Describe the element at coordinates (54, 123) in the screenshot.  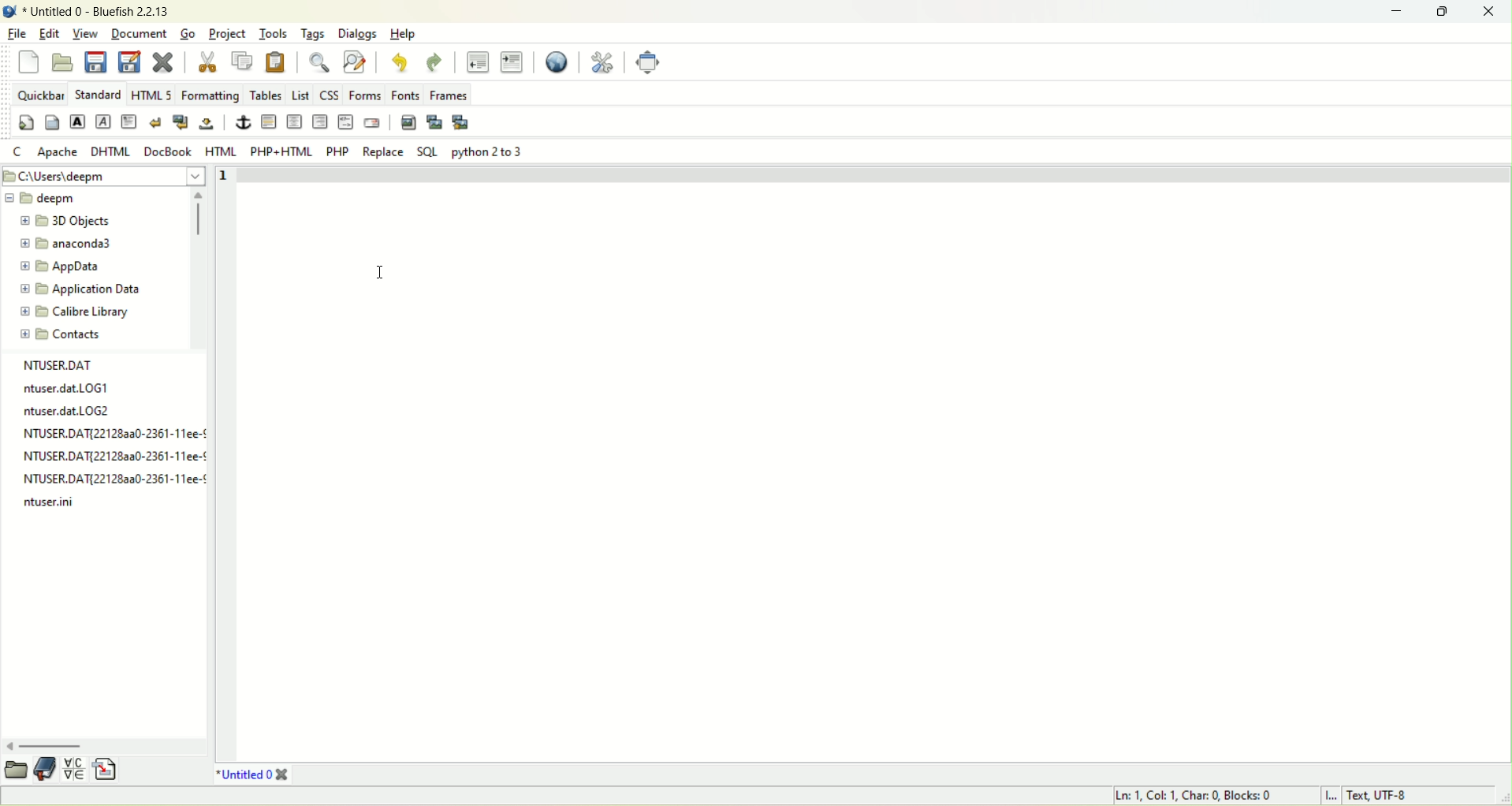
I see `body` at that location.